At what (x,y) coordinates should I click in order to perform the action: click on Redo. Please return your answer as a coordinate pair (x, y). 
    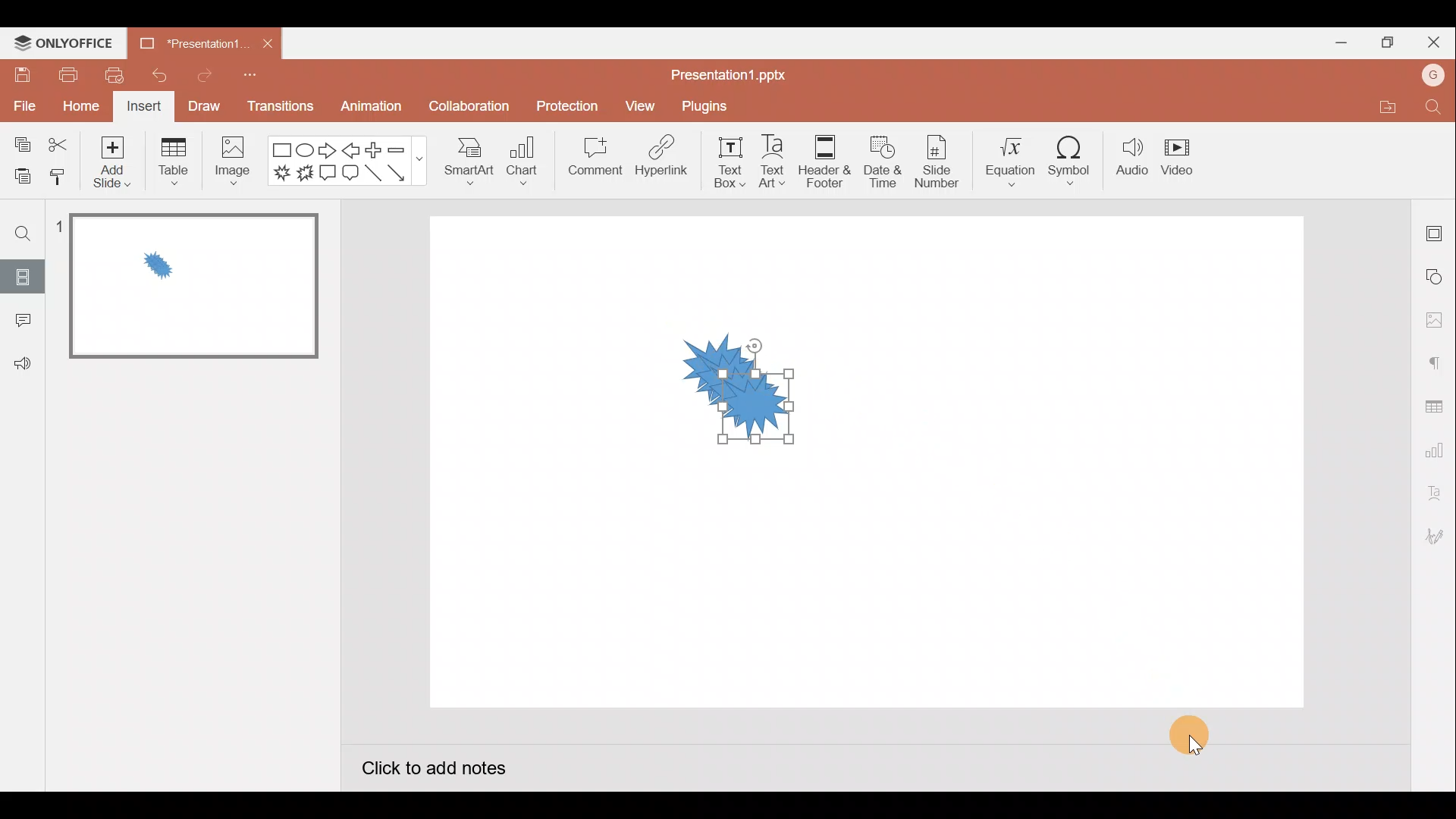
    Looking at the image, I should click on (199, 76).